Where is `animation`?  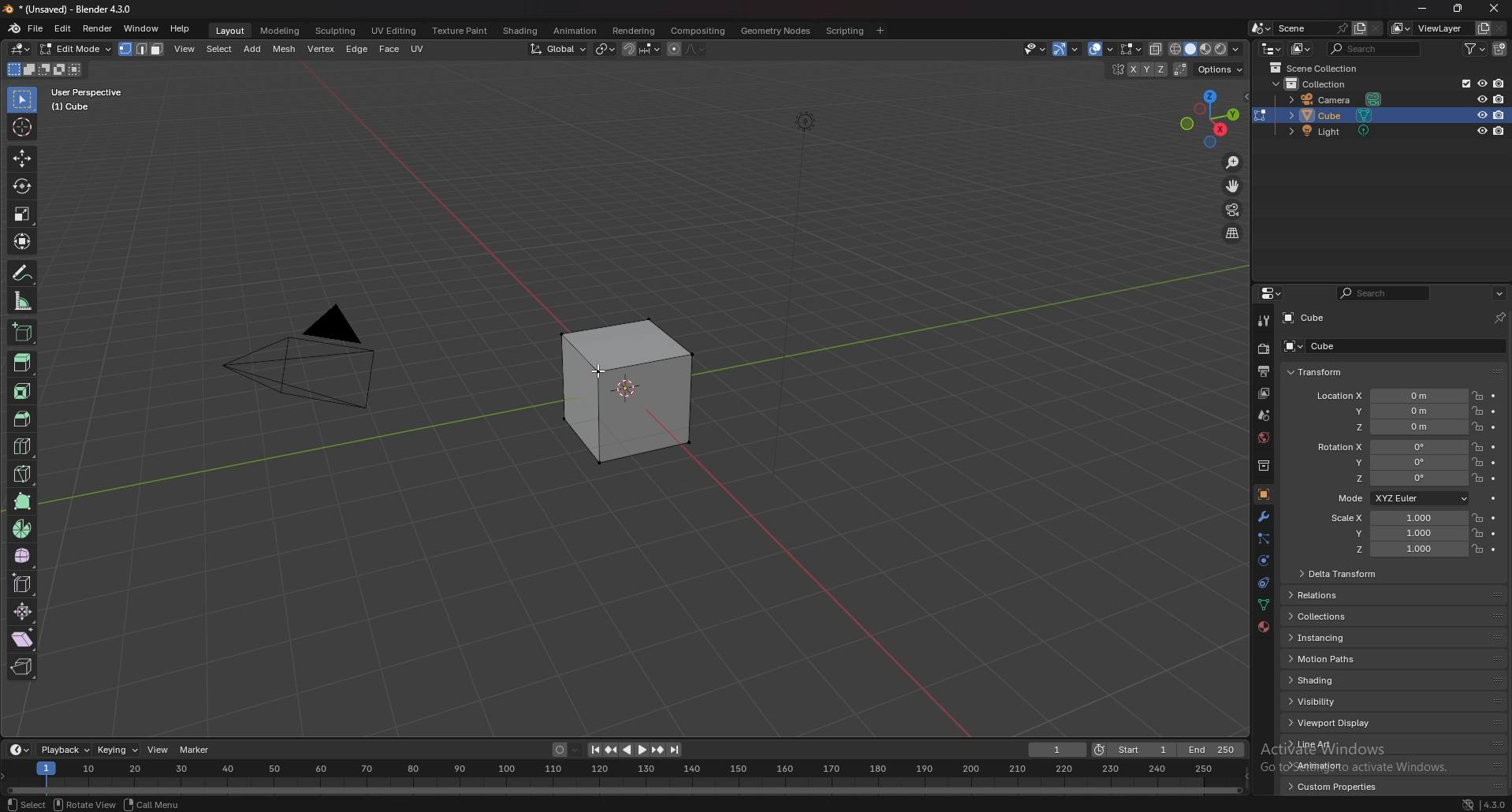
animation is located at coordinates (1341, 765).